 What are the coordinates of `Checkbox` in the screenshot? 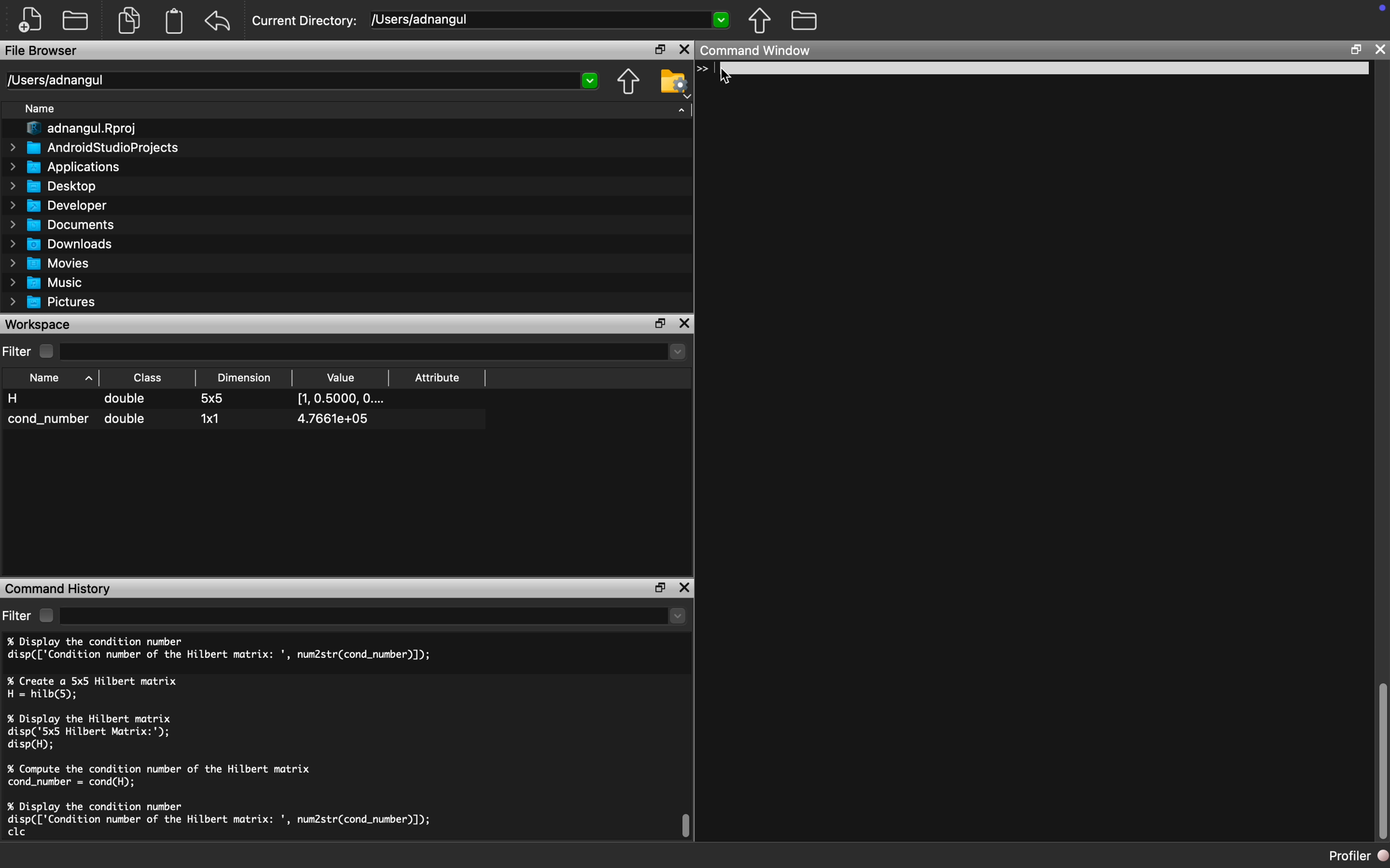 It's located at (46, 350).